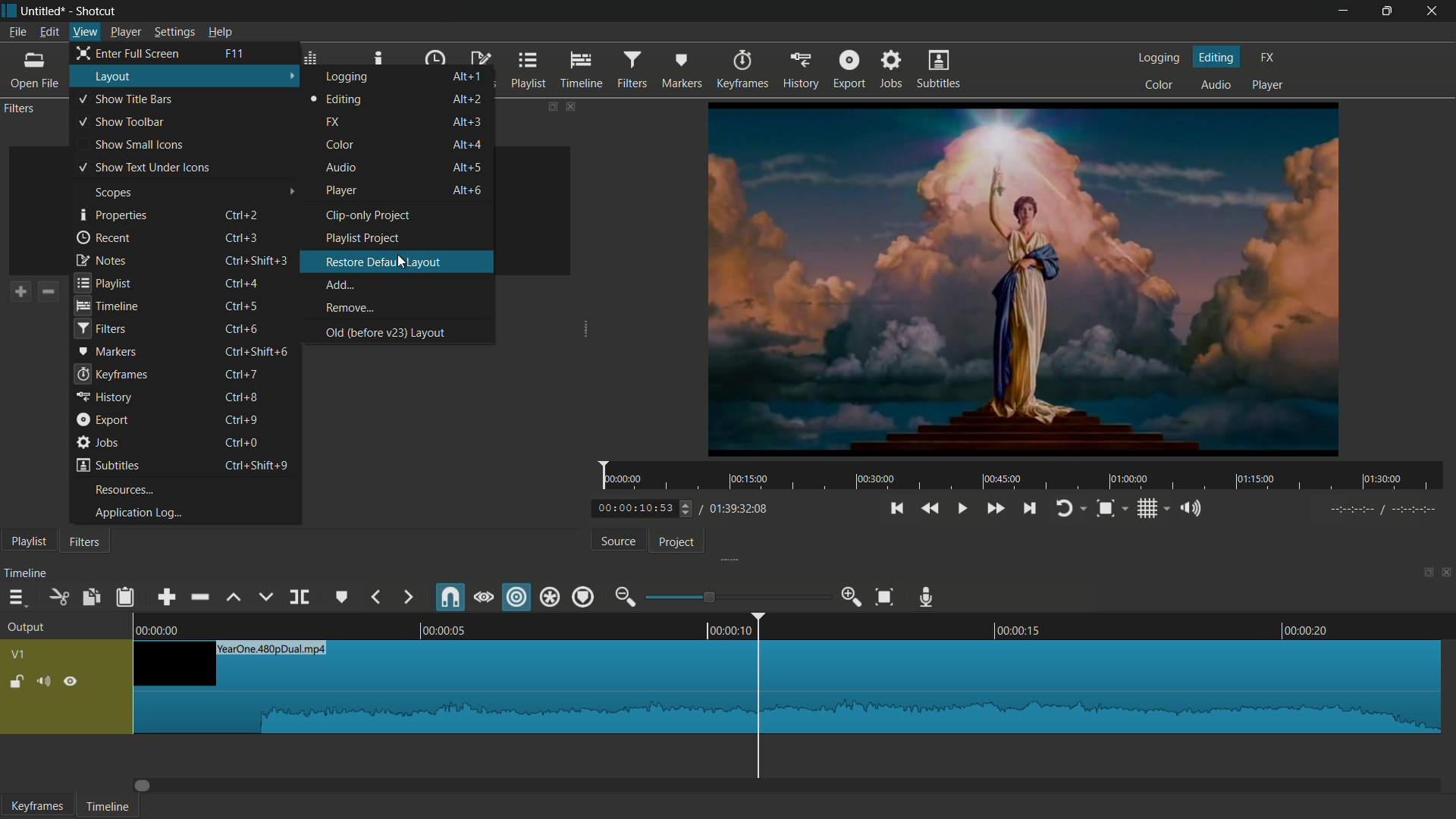 The height and width of the screenshot is (819, 1456). I want to click on timeline, so click(108, 807).